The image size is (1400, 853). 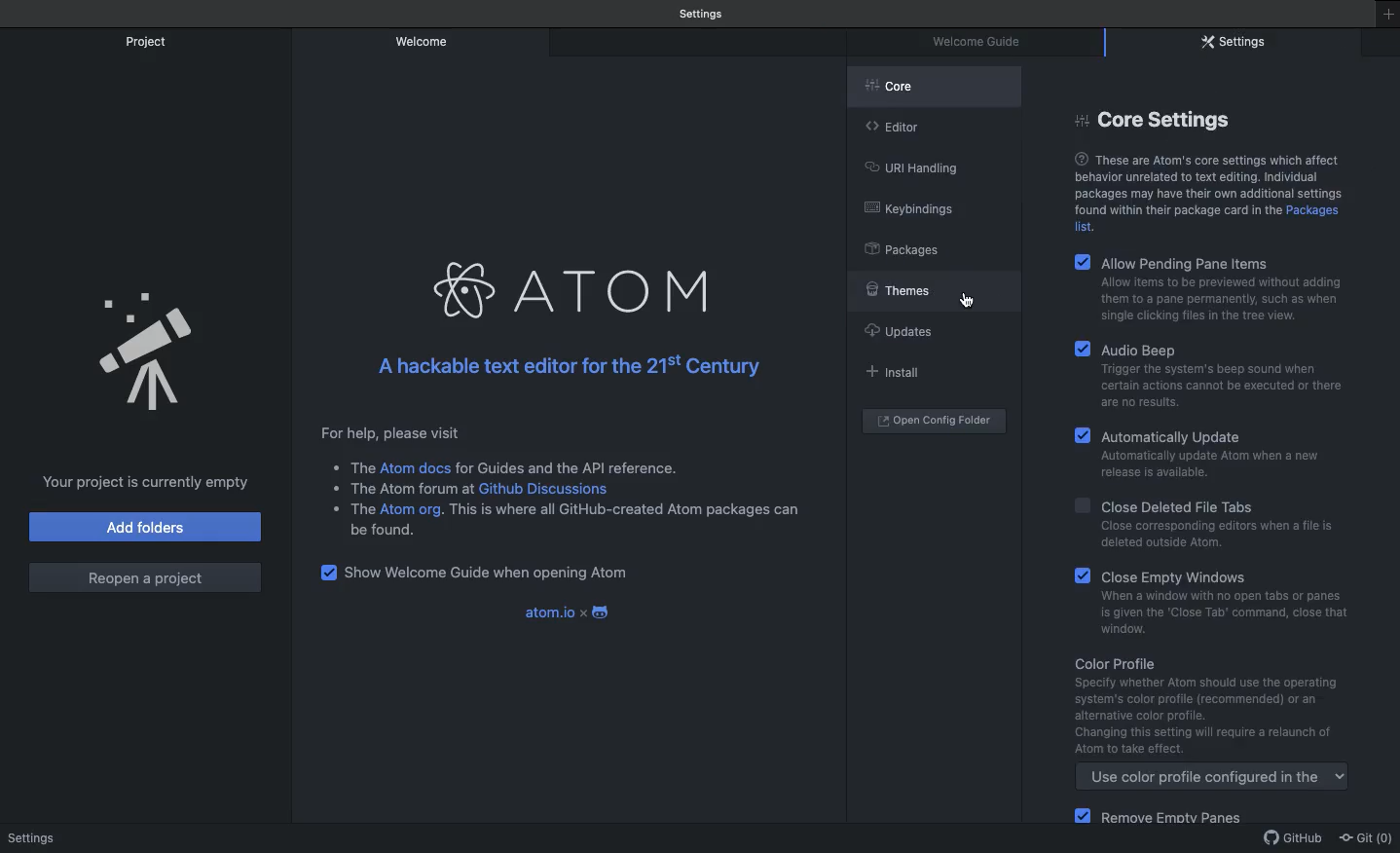 What do you see at coordinates (149, 41) in the screenshot?
I see `Project` at bounding box center [149, 41].